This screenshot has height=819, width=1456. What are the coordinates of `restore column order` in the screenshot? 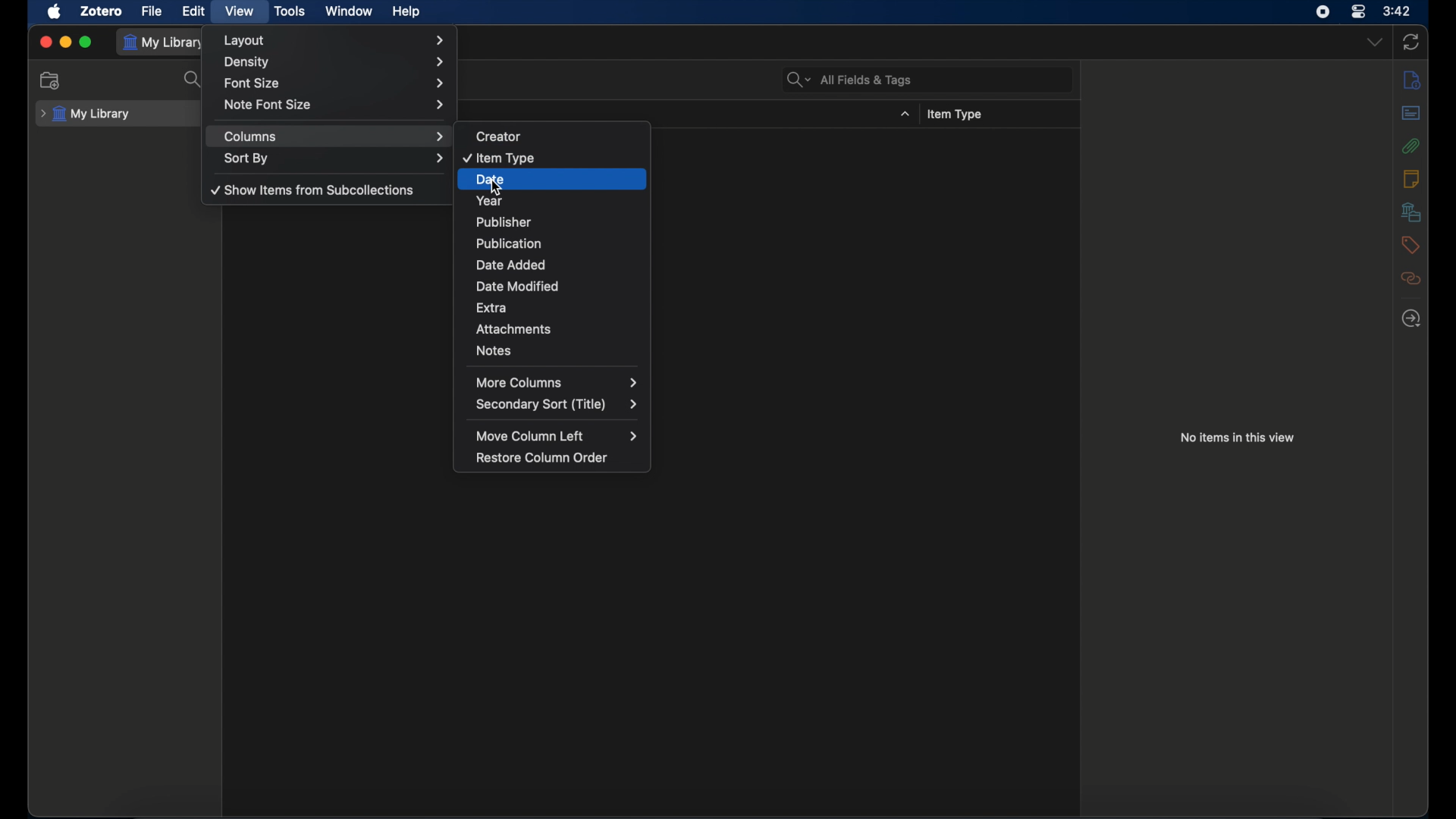 It's located at (545, 457).